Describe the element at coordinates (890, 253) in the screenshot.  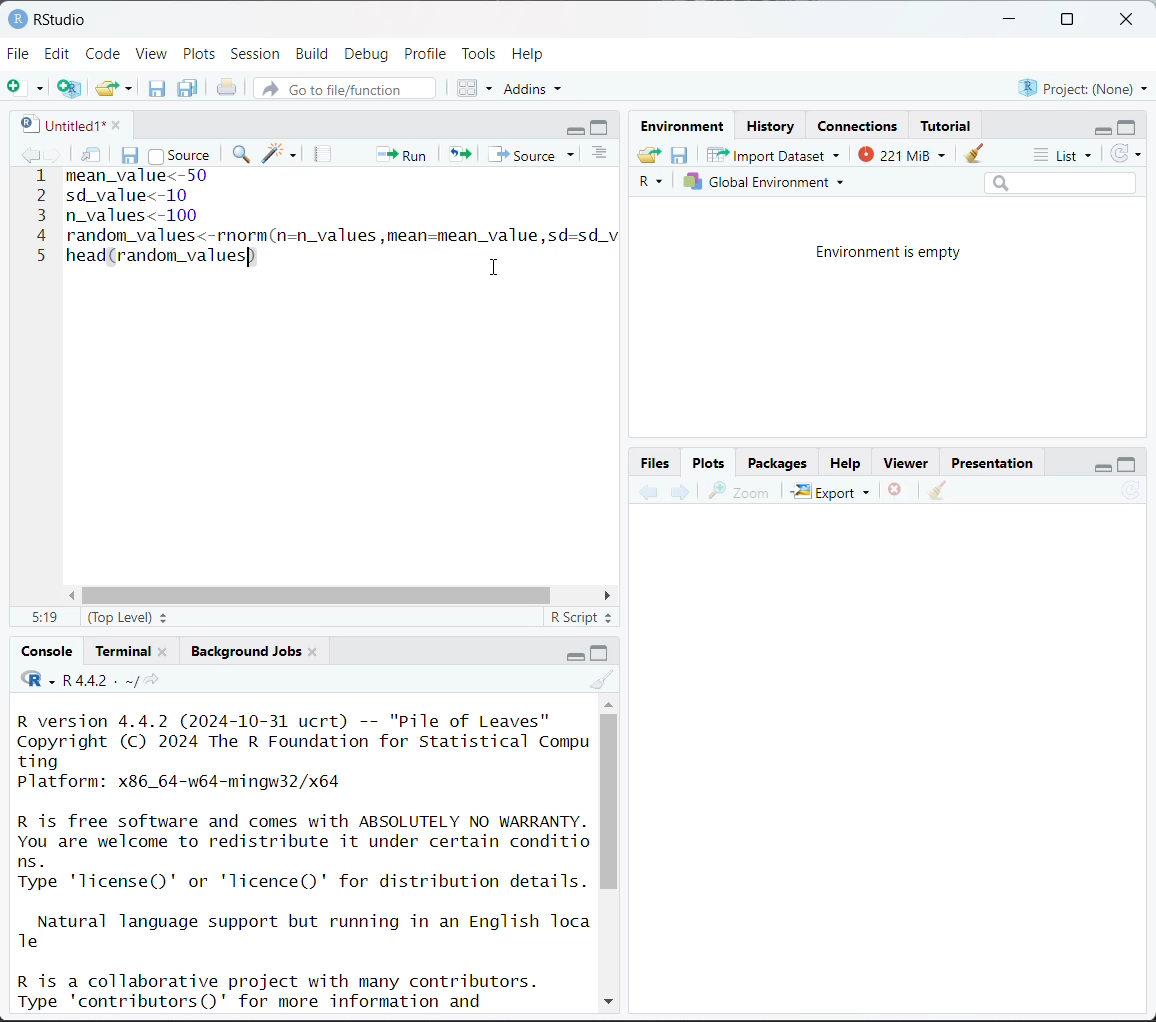
I see `Environment is empty` at that location.